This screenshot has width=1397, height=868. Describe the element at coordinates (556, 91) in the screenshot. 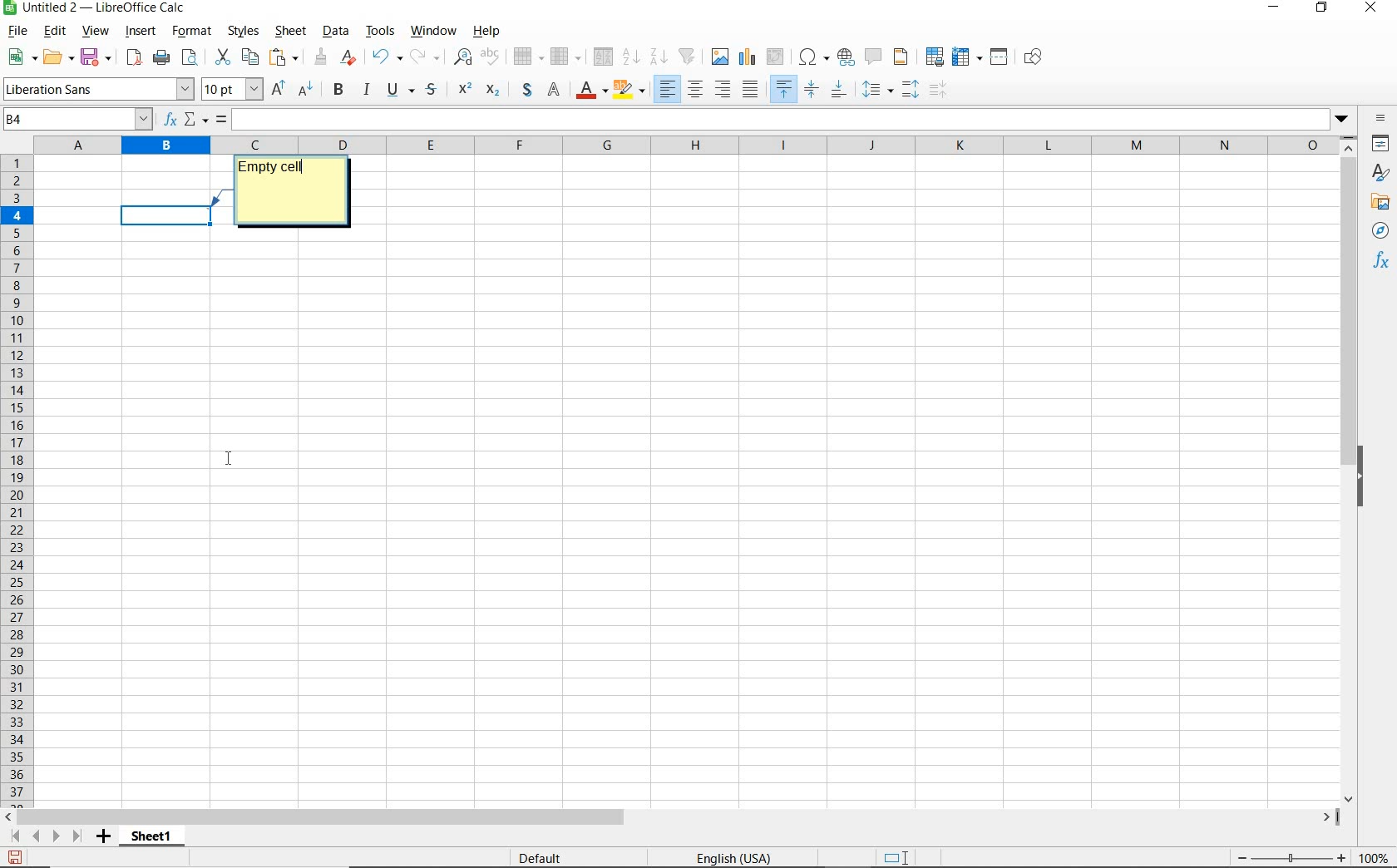

I see `Normal Text Mode` at that location.